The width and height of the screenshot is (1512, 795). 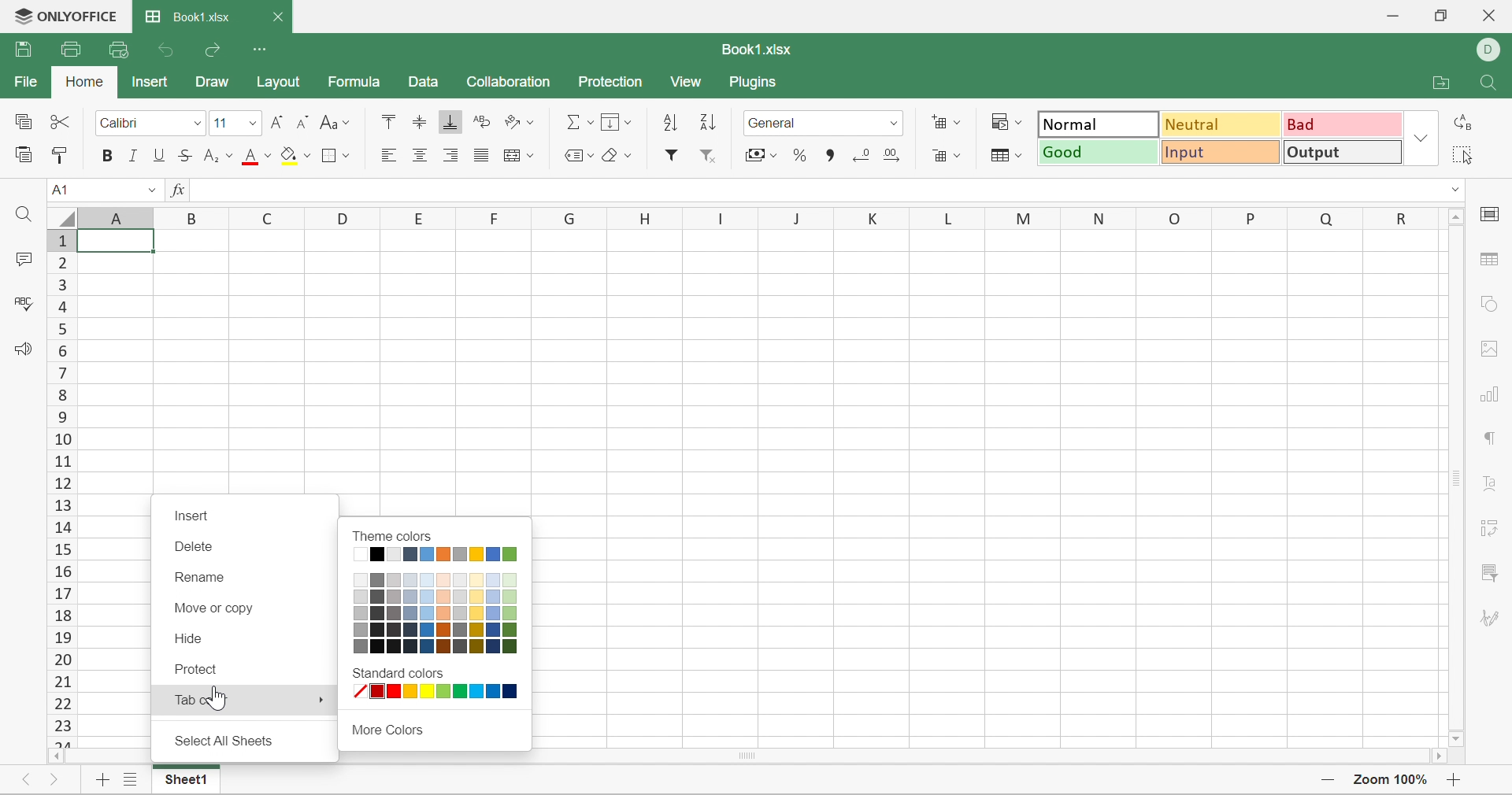 What do you see at coordinates (157, 158) in the screenshot?
I see `Underline` at bounding box center [157, 158].